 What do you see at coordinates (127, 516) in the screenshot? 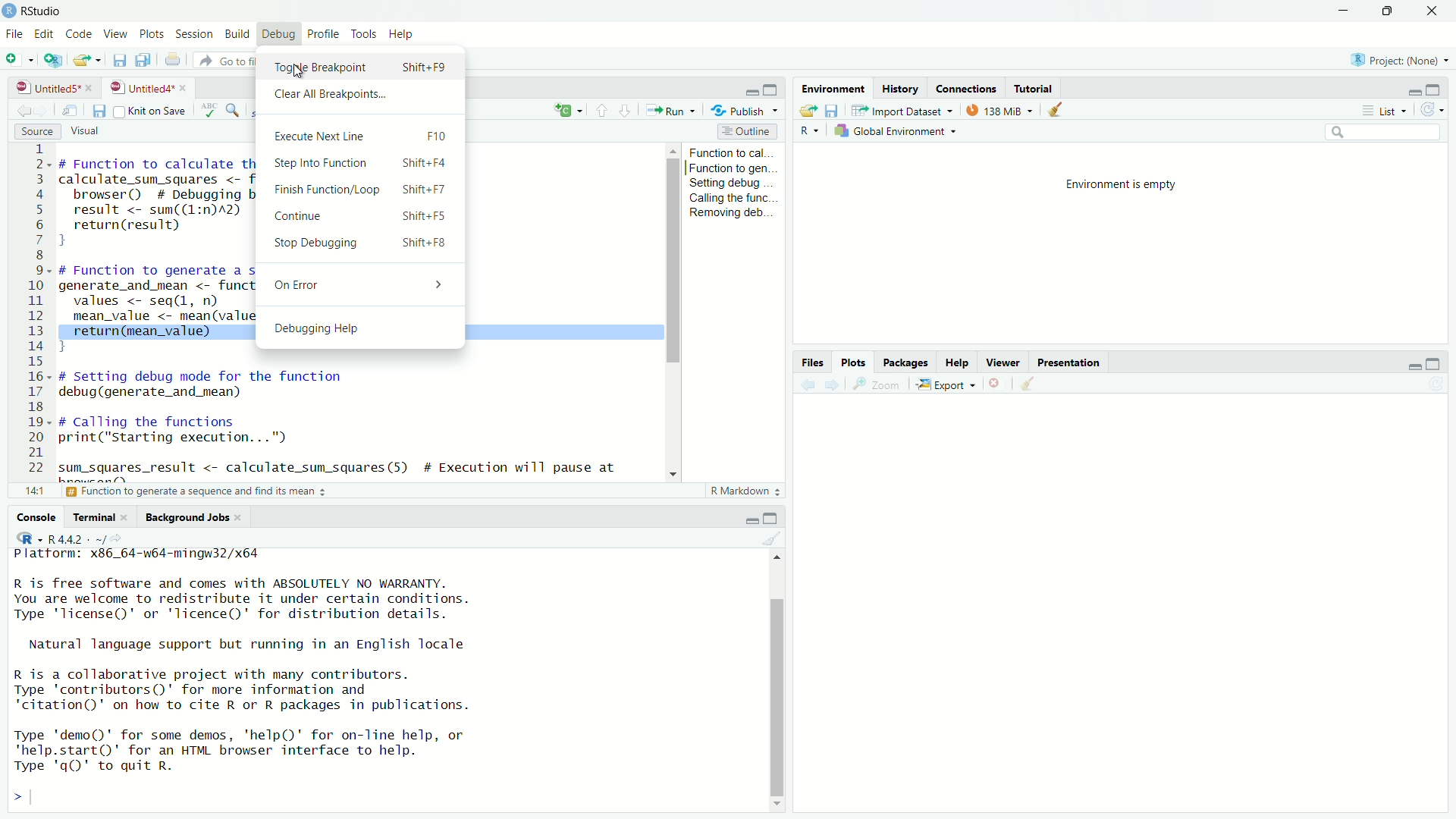
I see `close` at bounding box center [127, 516].